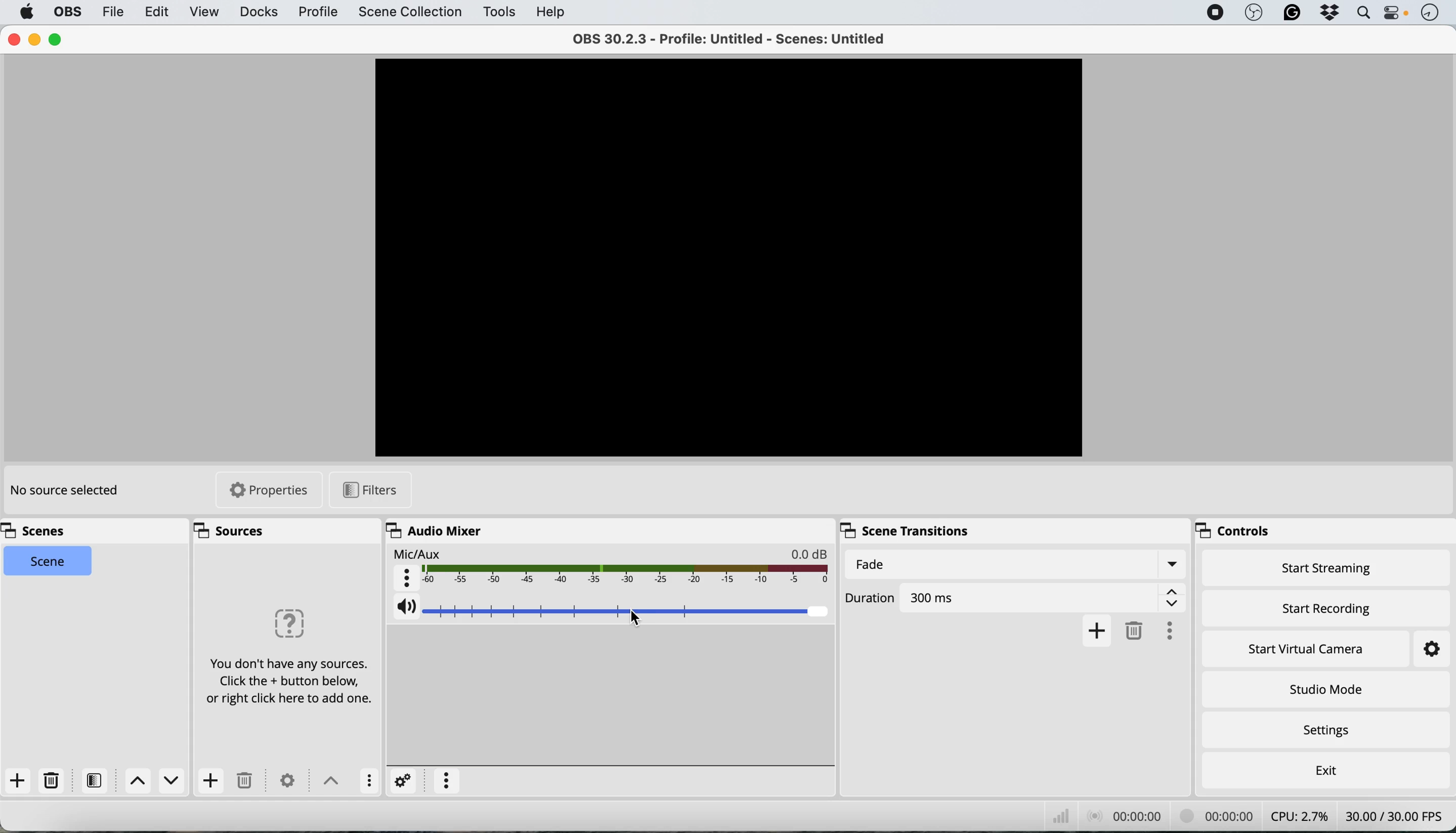 The height and width of the screenshot is (833, 1456). What do you see at coordinates (1291, 13) in the screenshot?
I see `grammarly` at bounding box center [1291, 13].